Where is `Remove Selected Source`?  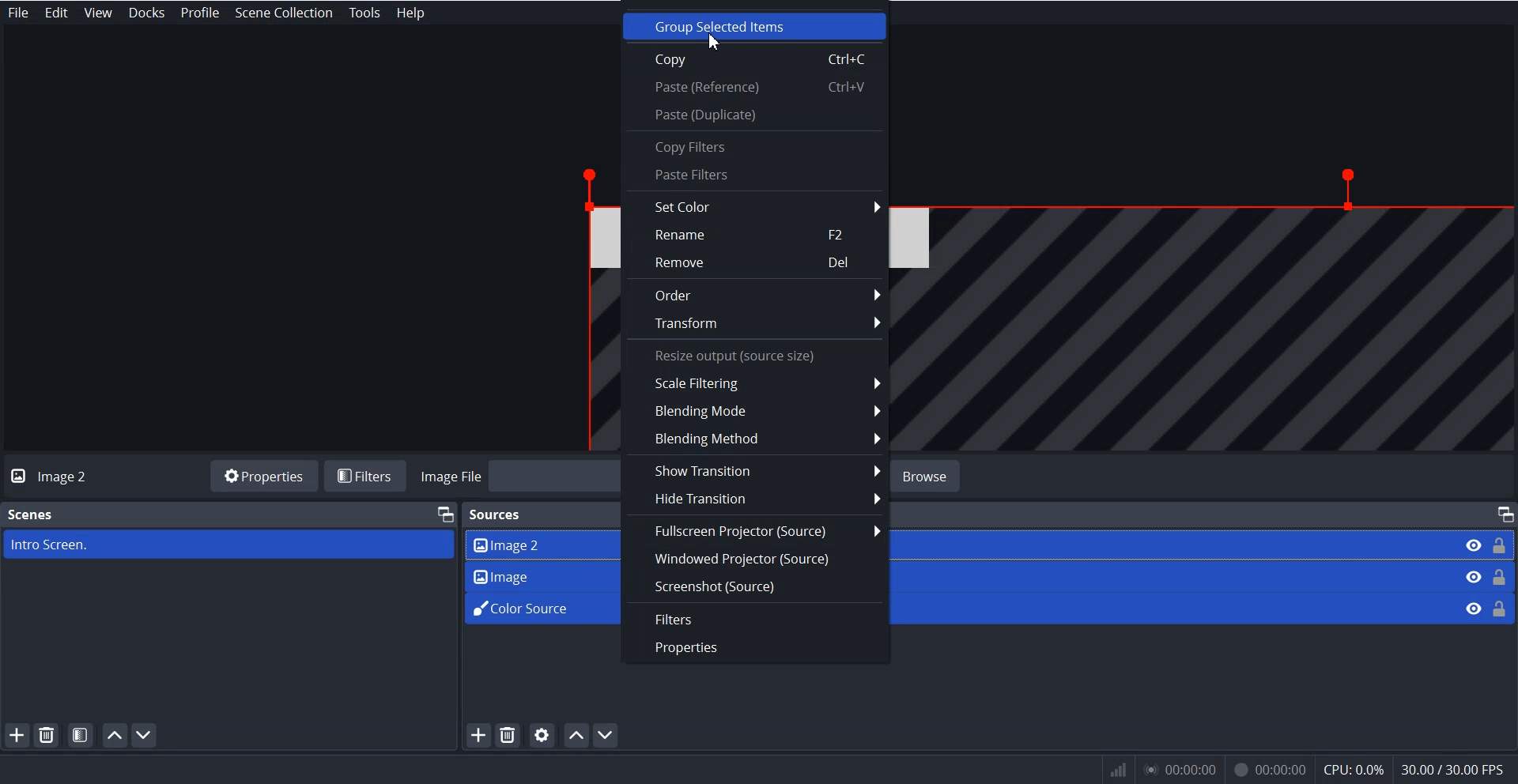 Remove Selected Source is located at coordinates (508, 736).